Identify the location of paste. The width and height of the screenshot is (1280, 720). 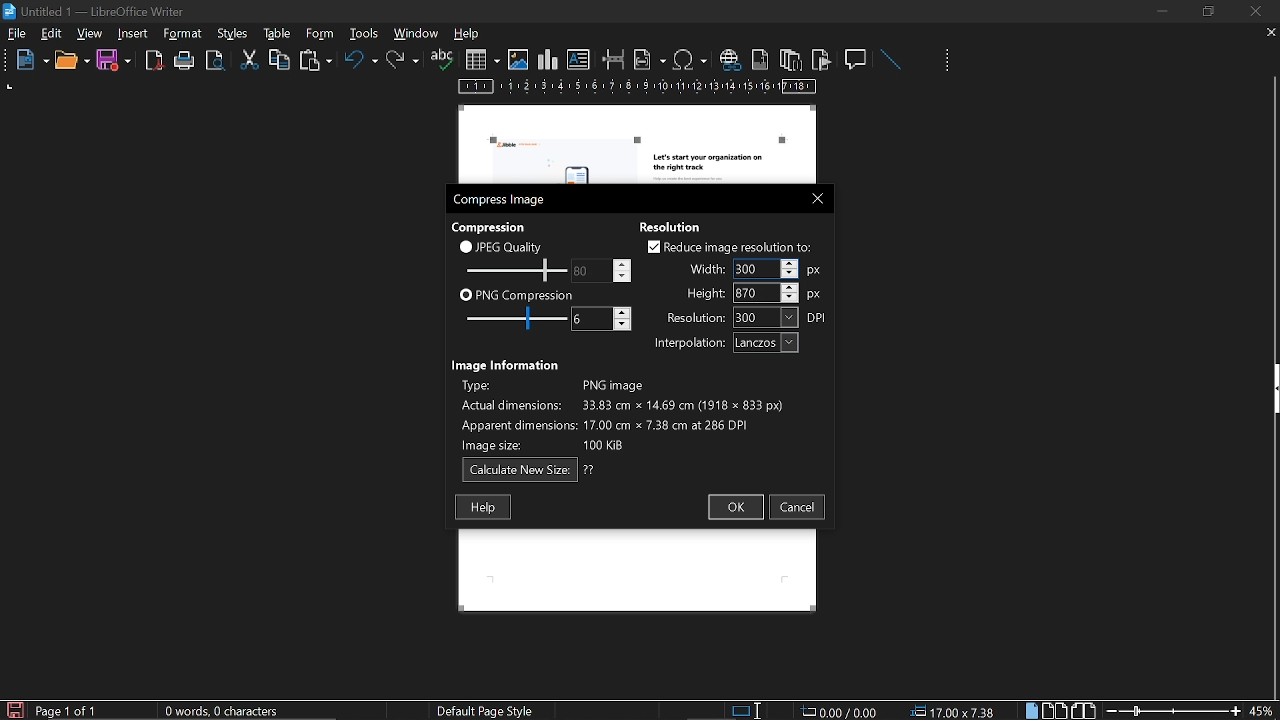
(314, 62).